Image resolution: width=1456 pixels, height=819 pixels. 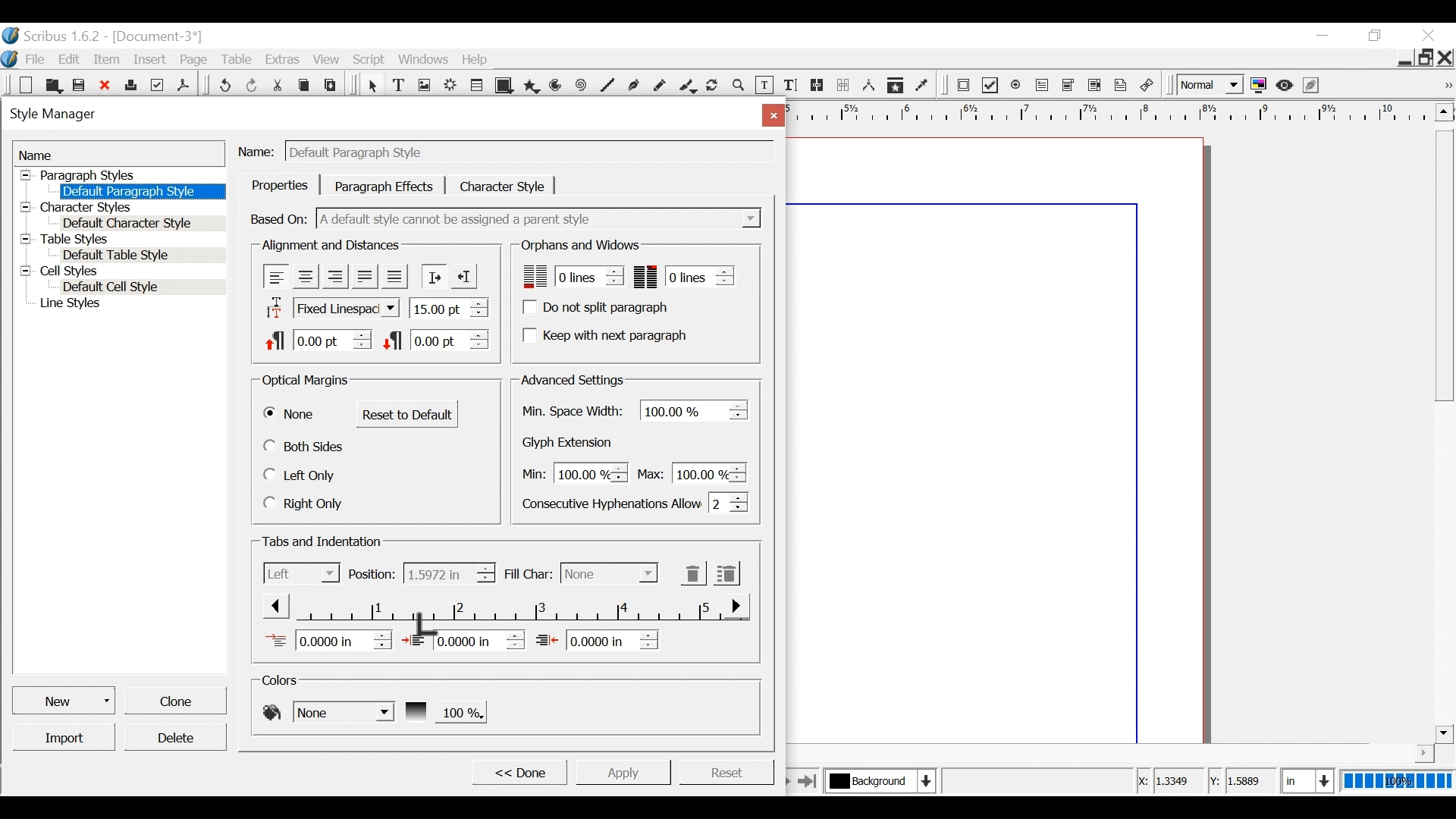 What do you see at coordinates (479, 86) in the screenshot?
I see `Table` at bounding box center [479, 86].